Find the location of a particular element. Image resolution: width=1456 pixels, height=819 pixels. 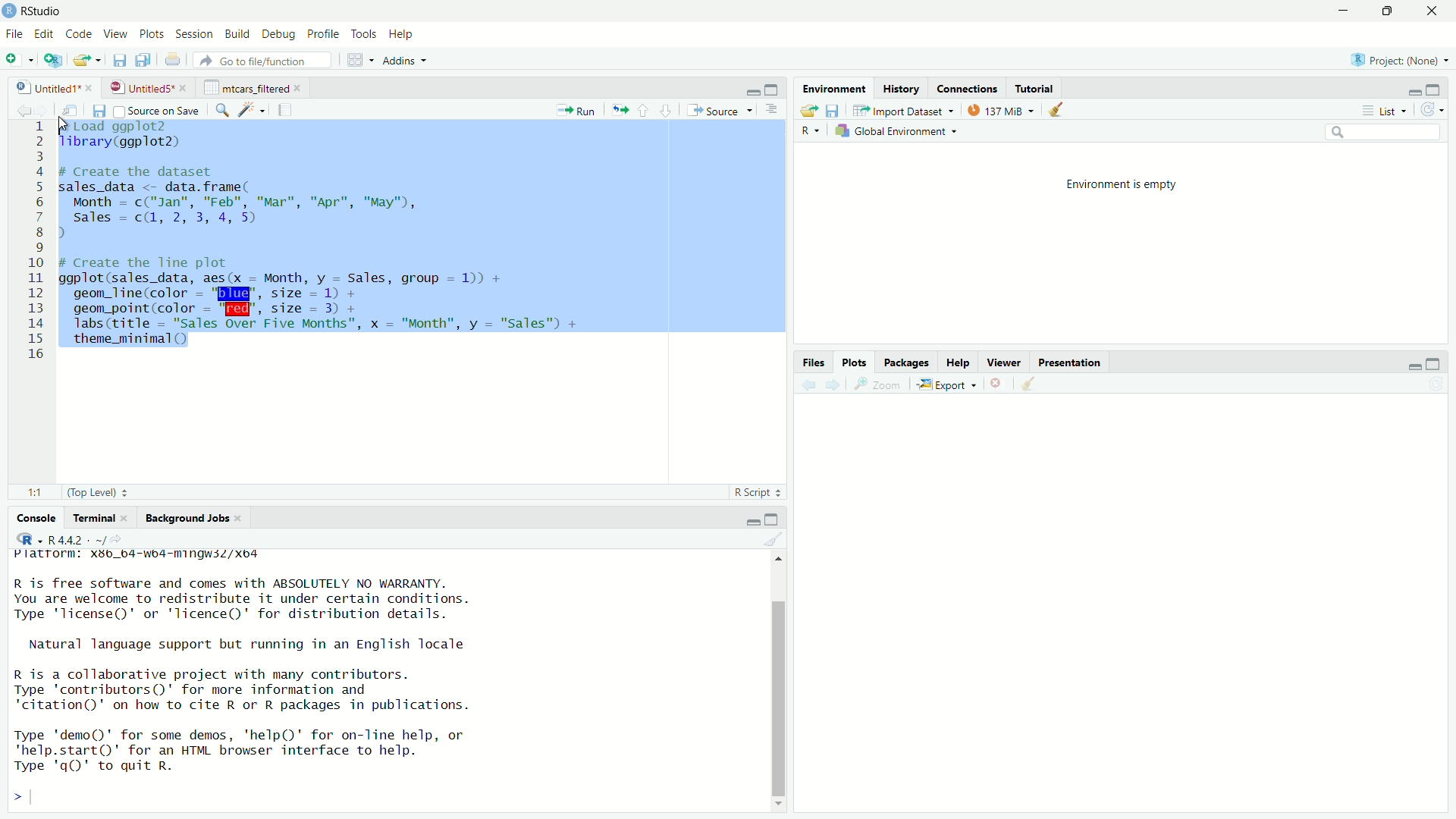

minimize is located at coordinates (1414, 90).